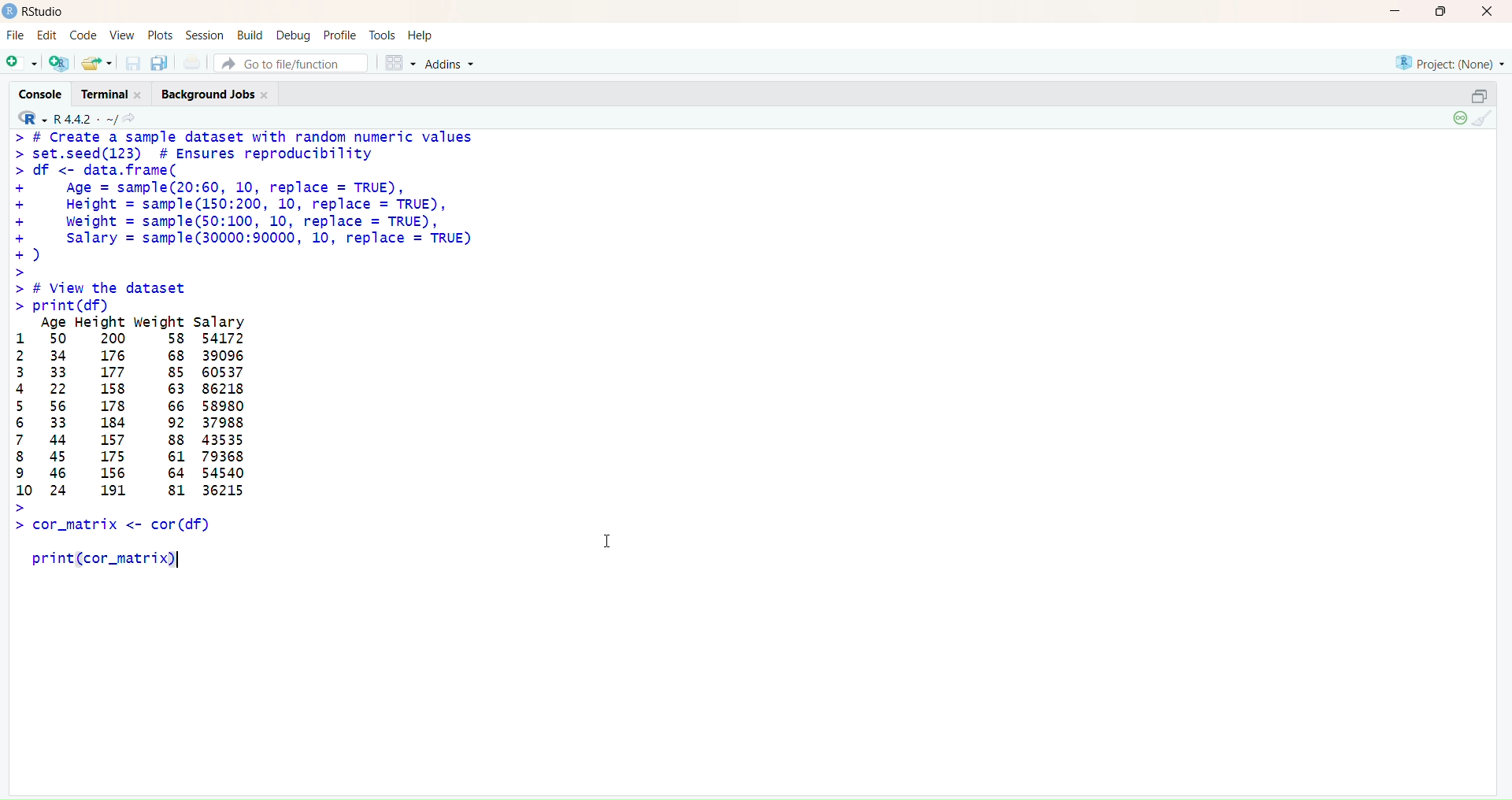 This screenshot has width=1512, height=800. I want to click on Project (None), so click(1452, 65).